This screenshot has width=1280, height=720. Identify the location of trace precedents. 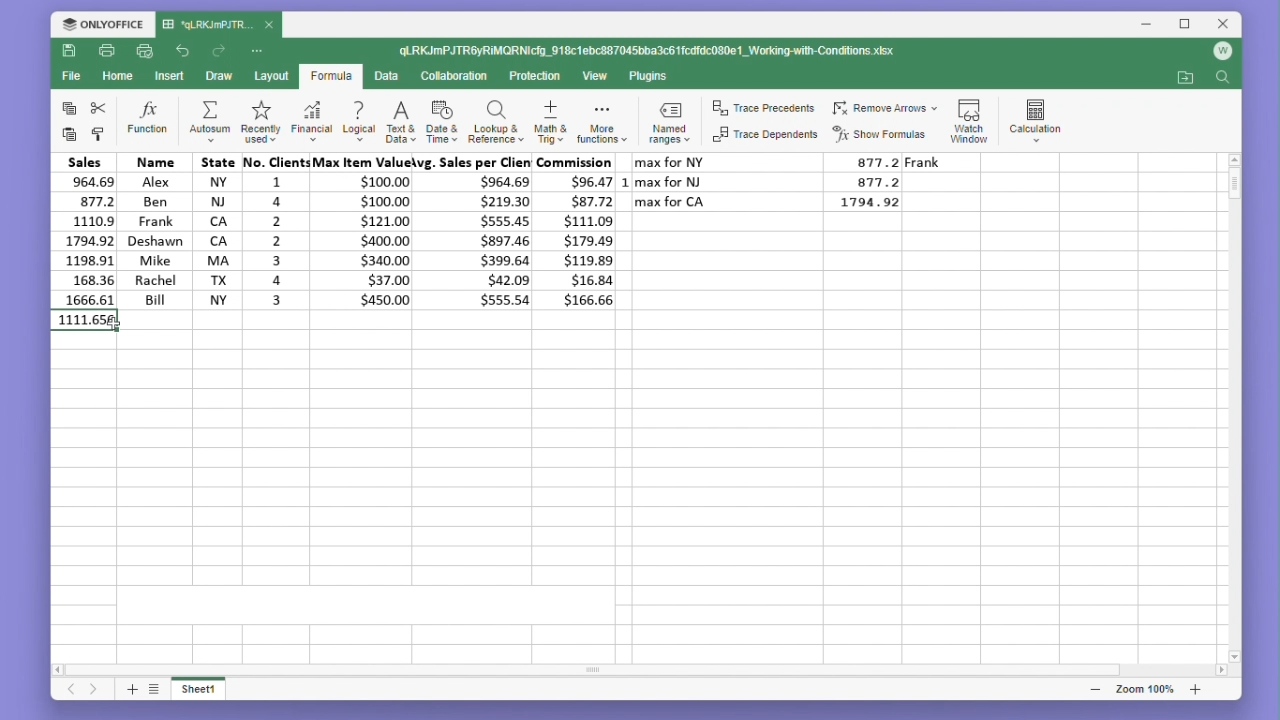
(766, 110).